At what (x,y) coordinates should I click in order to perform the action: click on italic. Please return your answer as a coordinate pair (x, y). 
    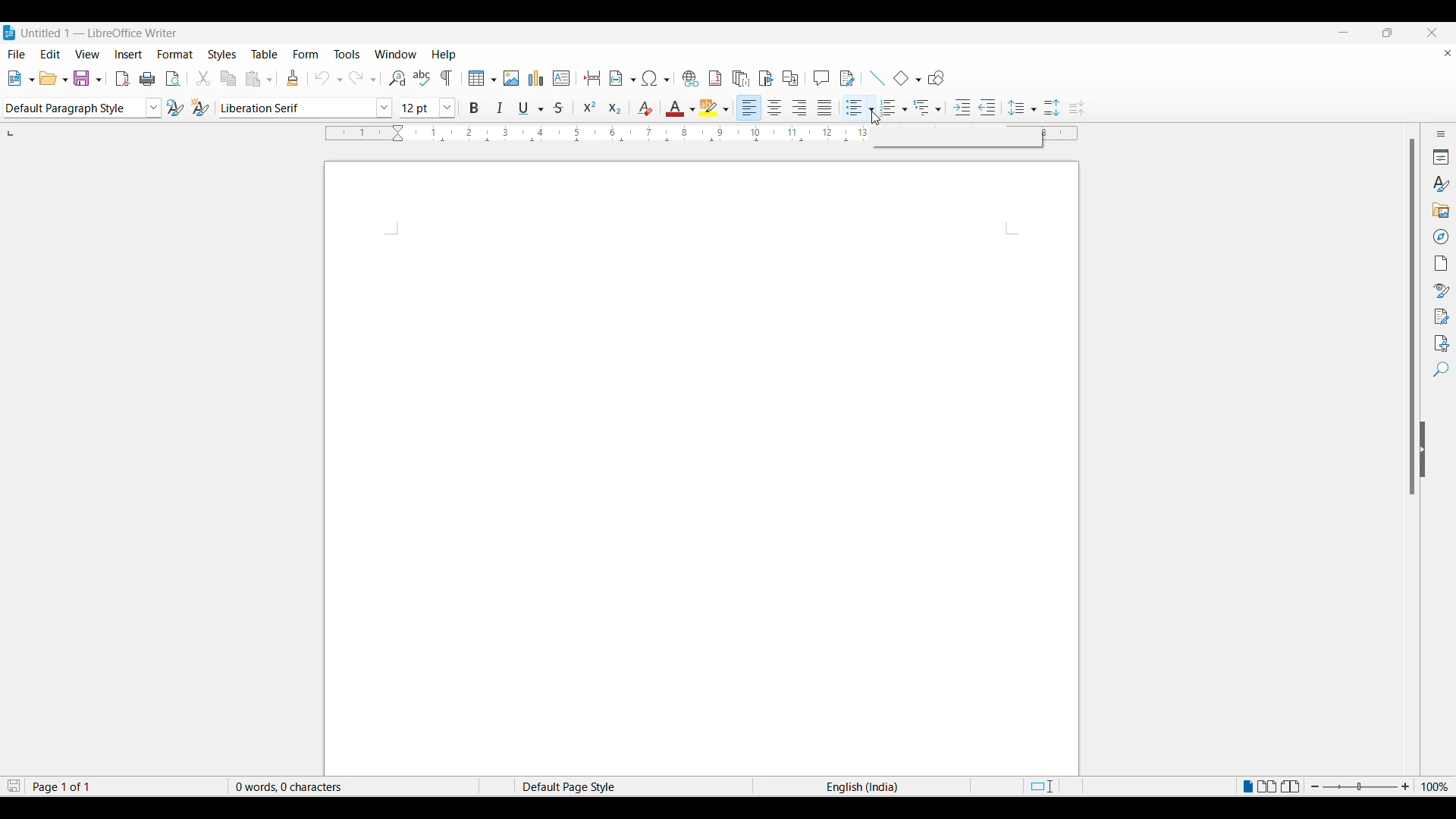
    Looking at the image, I should click on (502, 108).